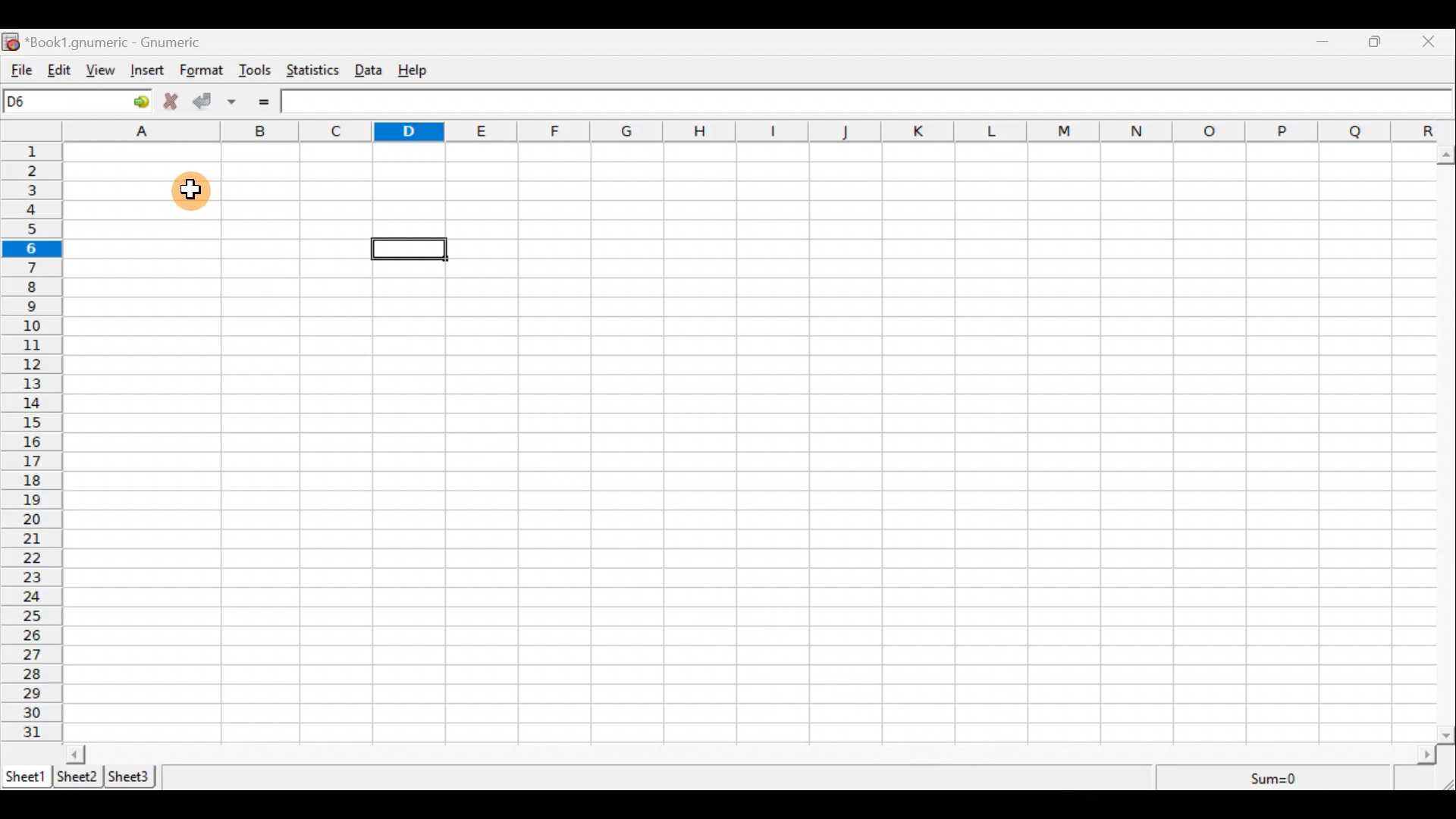 The height and width of the screenshot is (819, 1456). Describe the element at coordinates (35, 444) in the screenshot. I see `numbering colum` at that location.